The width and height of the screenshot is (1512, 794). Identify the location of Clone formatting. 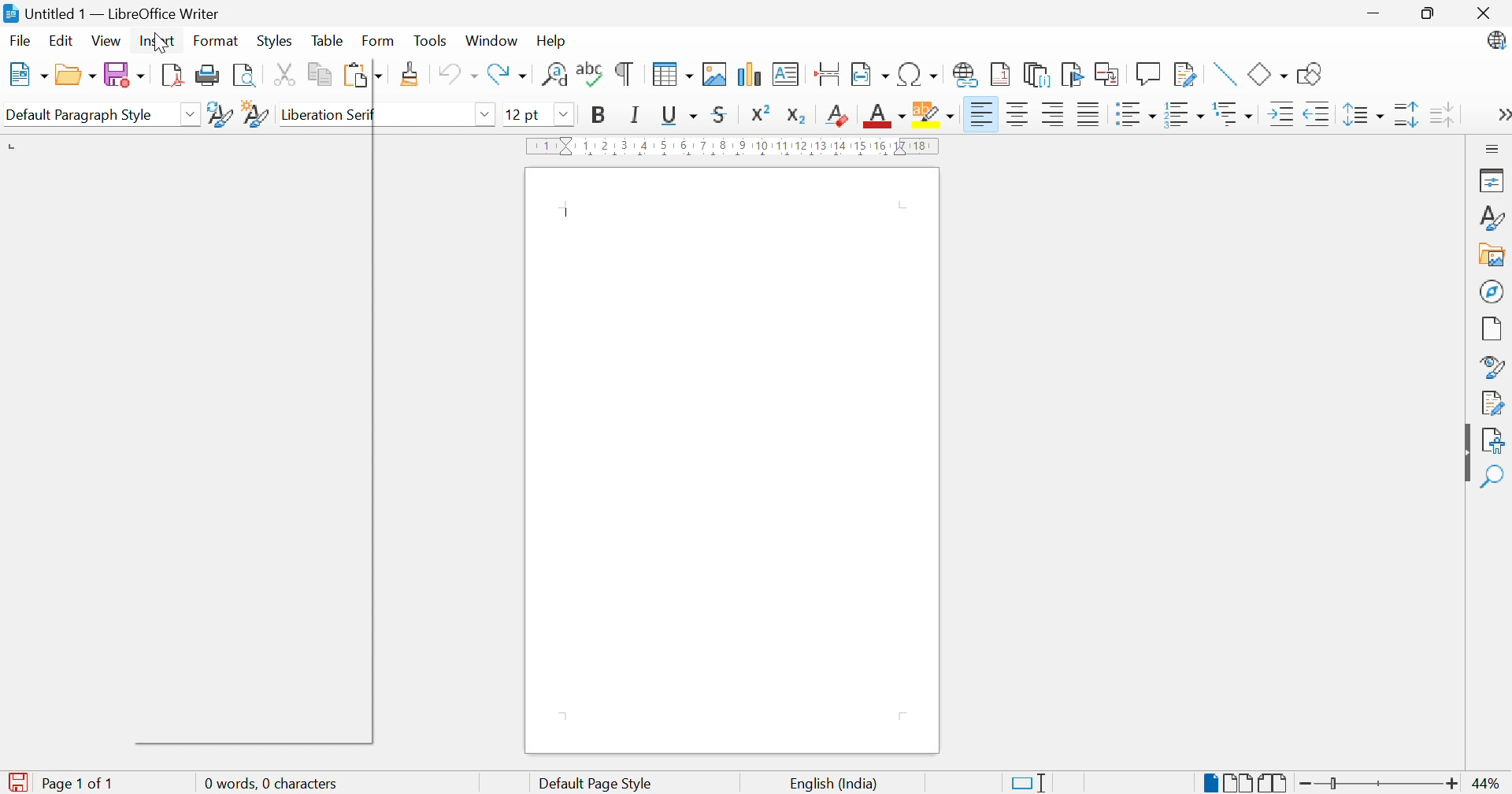
(410, 74).